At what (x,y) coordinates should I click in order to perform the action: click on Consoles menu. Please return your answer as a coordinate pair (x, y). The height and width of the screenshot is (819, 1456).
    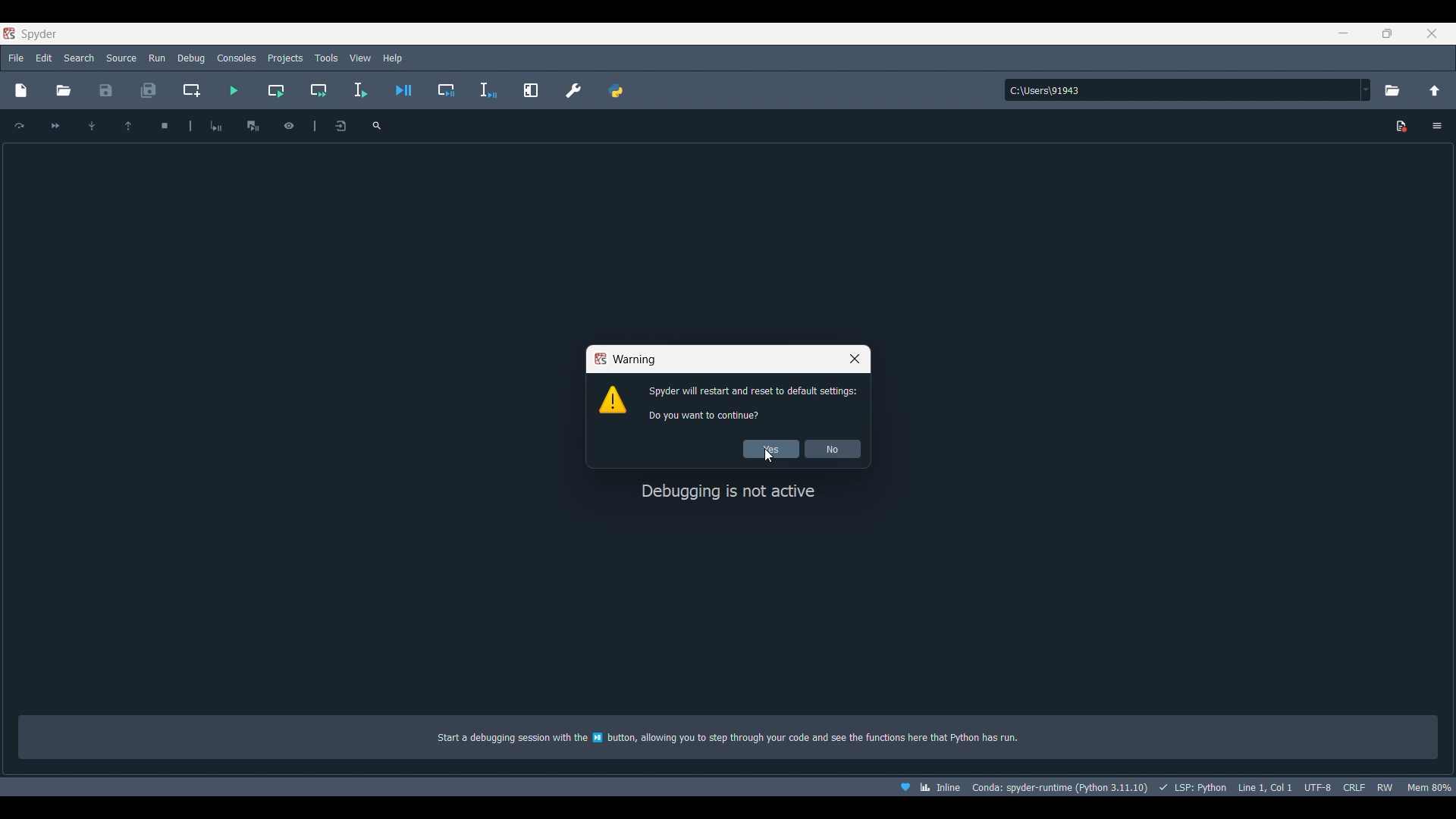
    Looking at the image, I should click on (237, 58).